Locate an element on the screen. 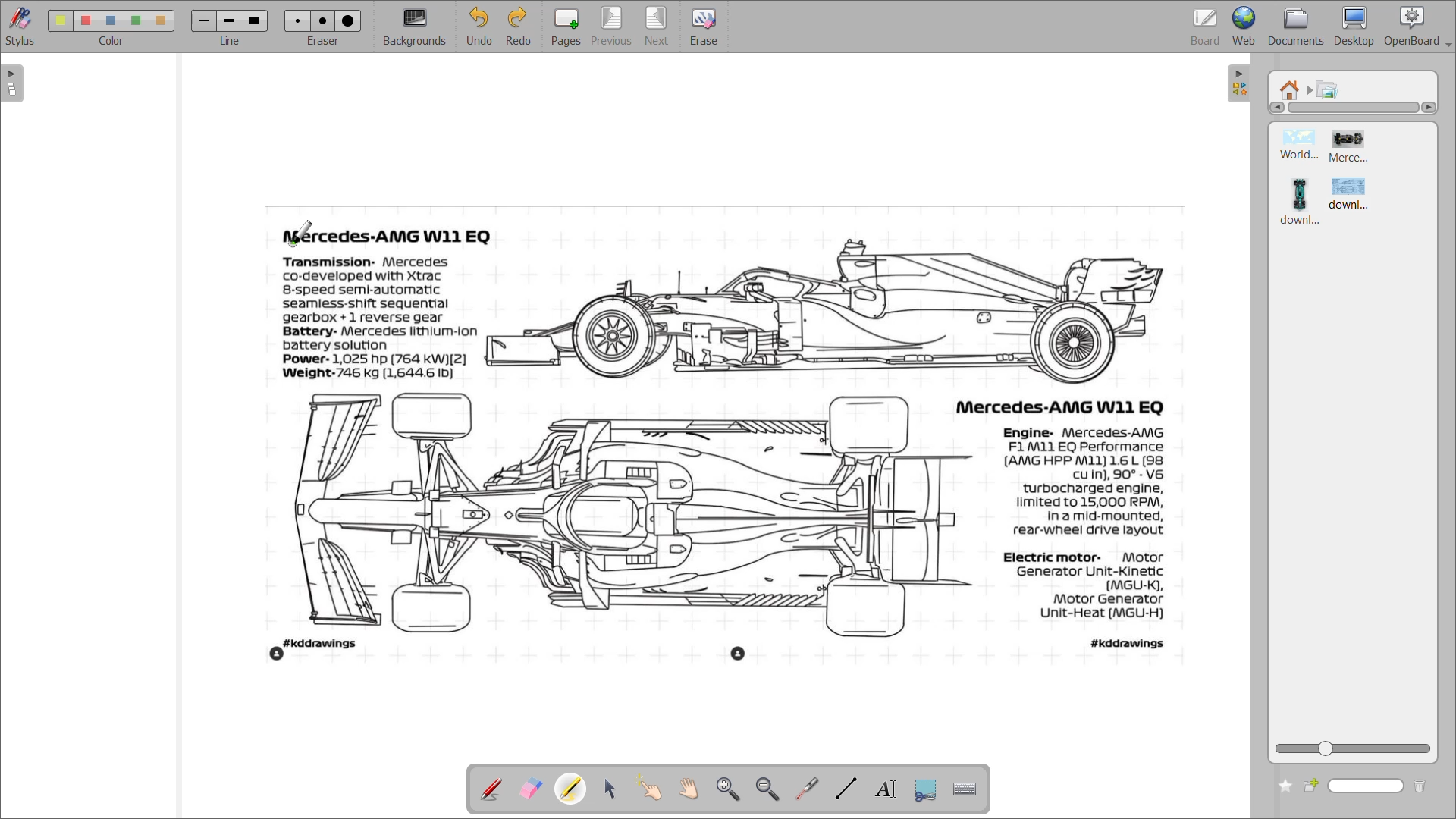 The height and width of the screenshot is (819, 1456). display virtual keyboard is located at coordinates (967, 790).